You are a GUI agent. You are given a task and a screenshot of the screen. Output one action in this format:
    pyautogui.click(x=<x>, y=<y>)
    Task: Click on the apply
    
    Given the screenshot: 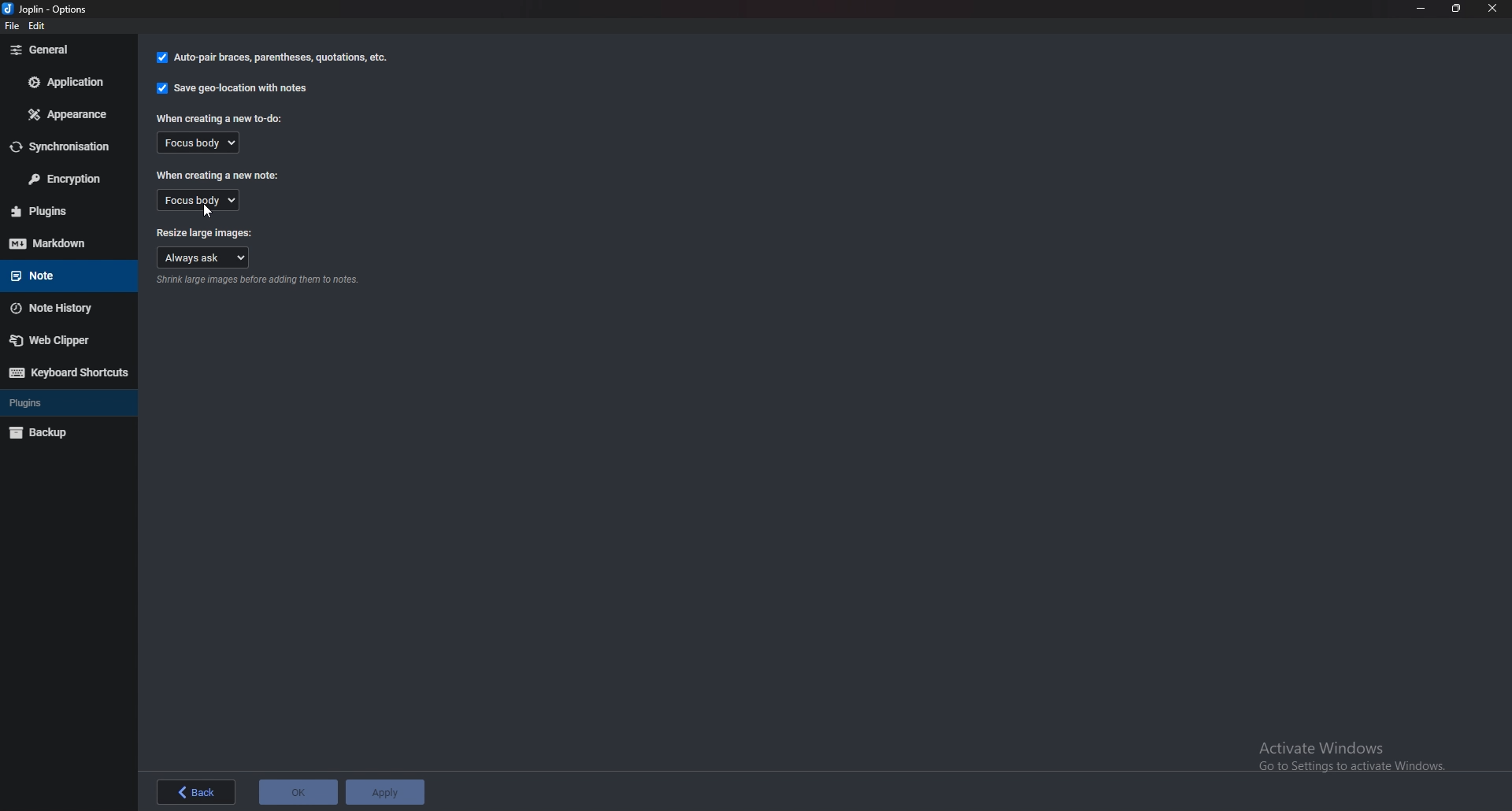 What is the action you would take?
    pyautogui.click(x=387, y=792)
    